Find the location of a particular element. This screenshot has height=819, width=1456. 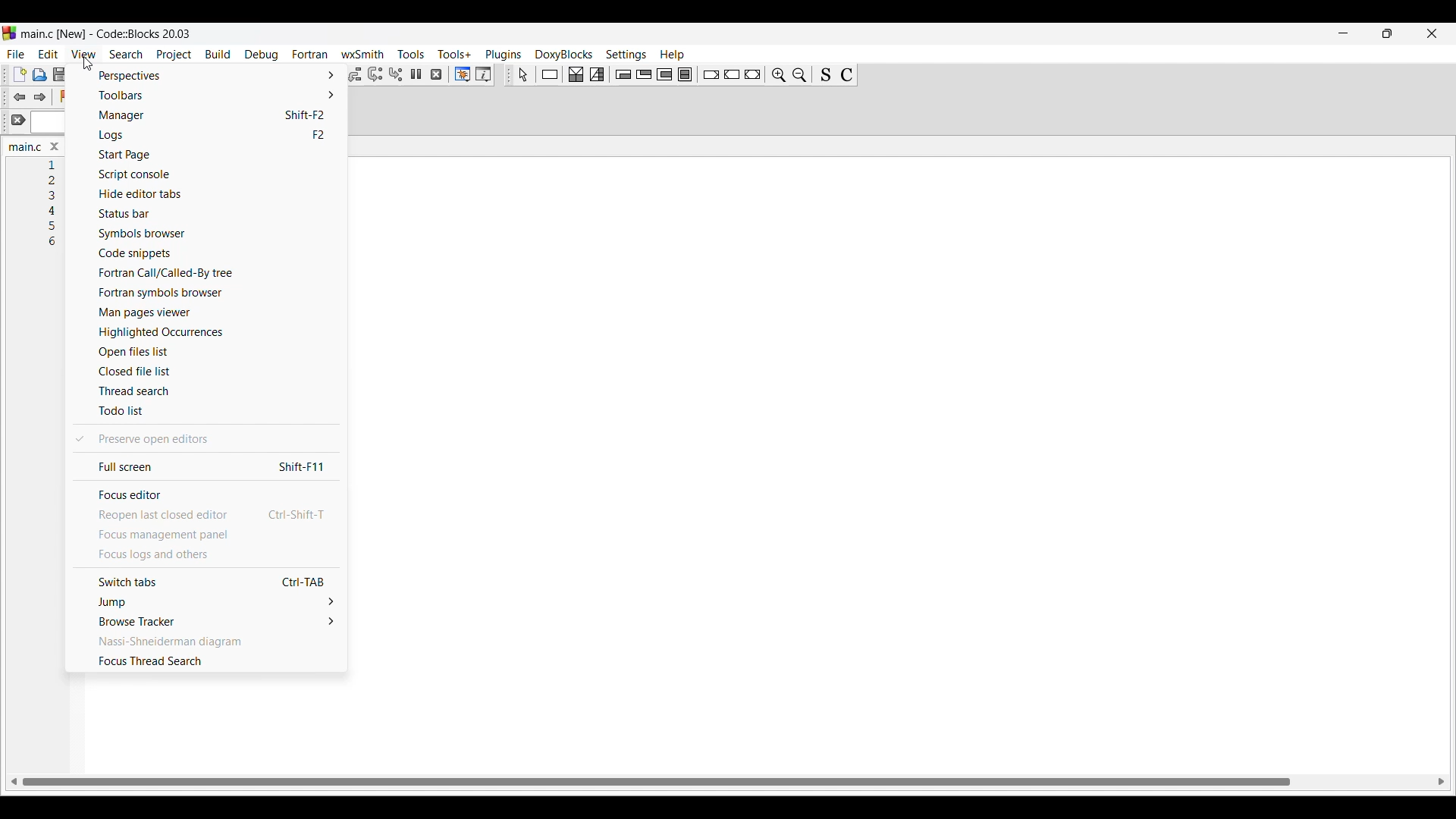

Break instruction is located at coordinates (711, 75).